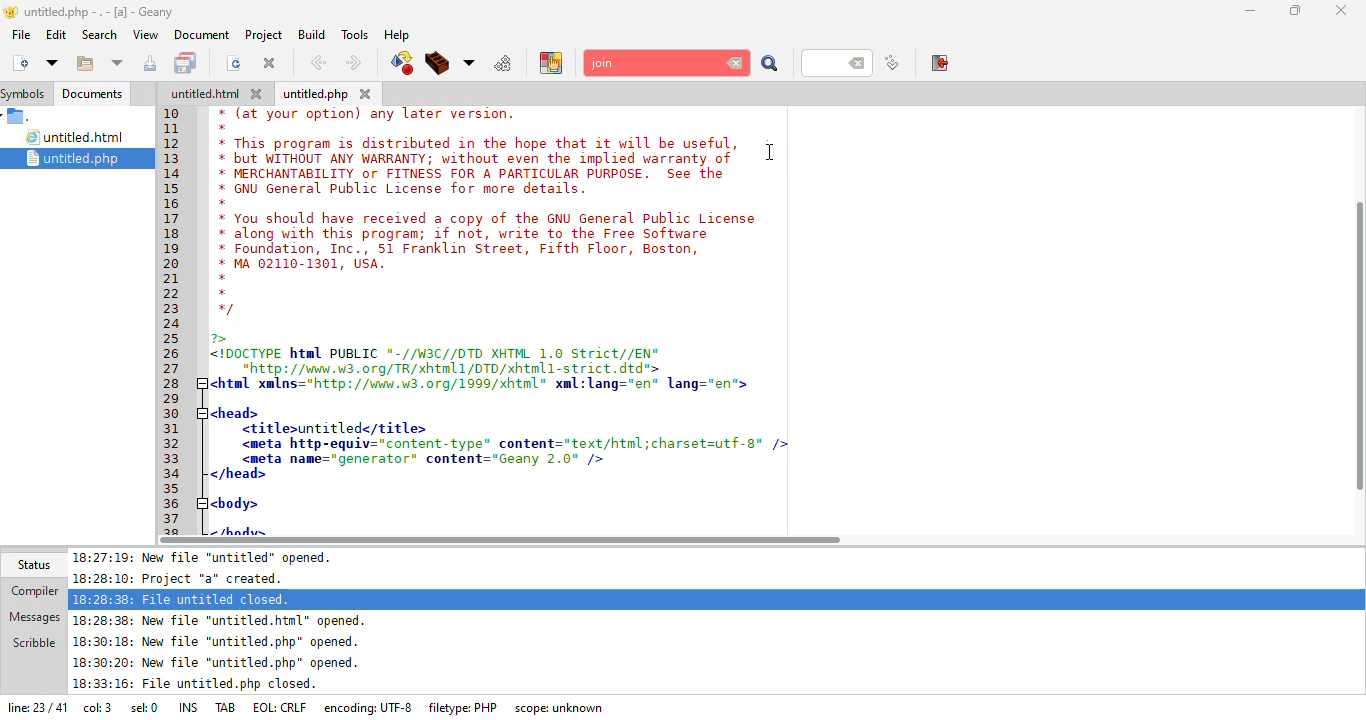 The width and height of the screenshot is (1366, 720). Describe the element at coordinates (21, 34) in the screenshot. I see `file` at that location.